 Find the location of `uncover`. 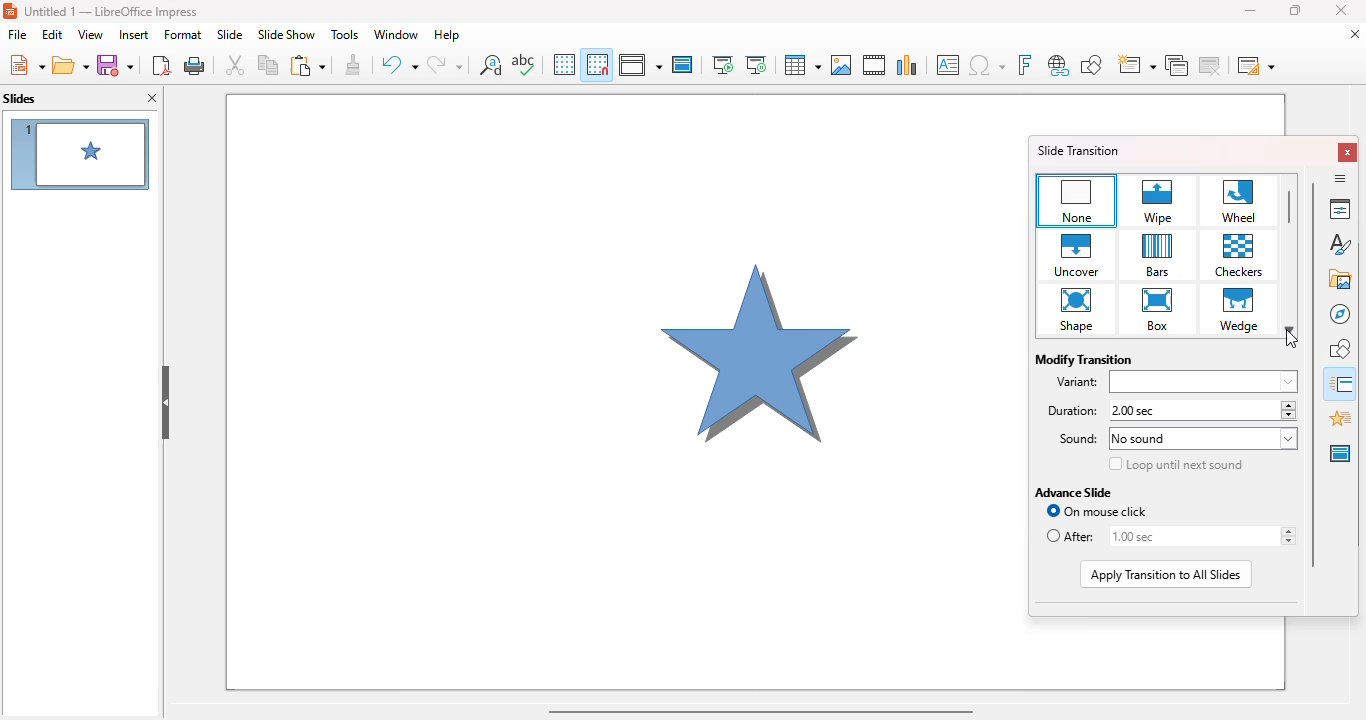

uncover is located at coordinates (1077, 255).